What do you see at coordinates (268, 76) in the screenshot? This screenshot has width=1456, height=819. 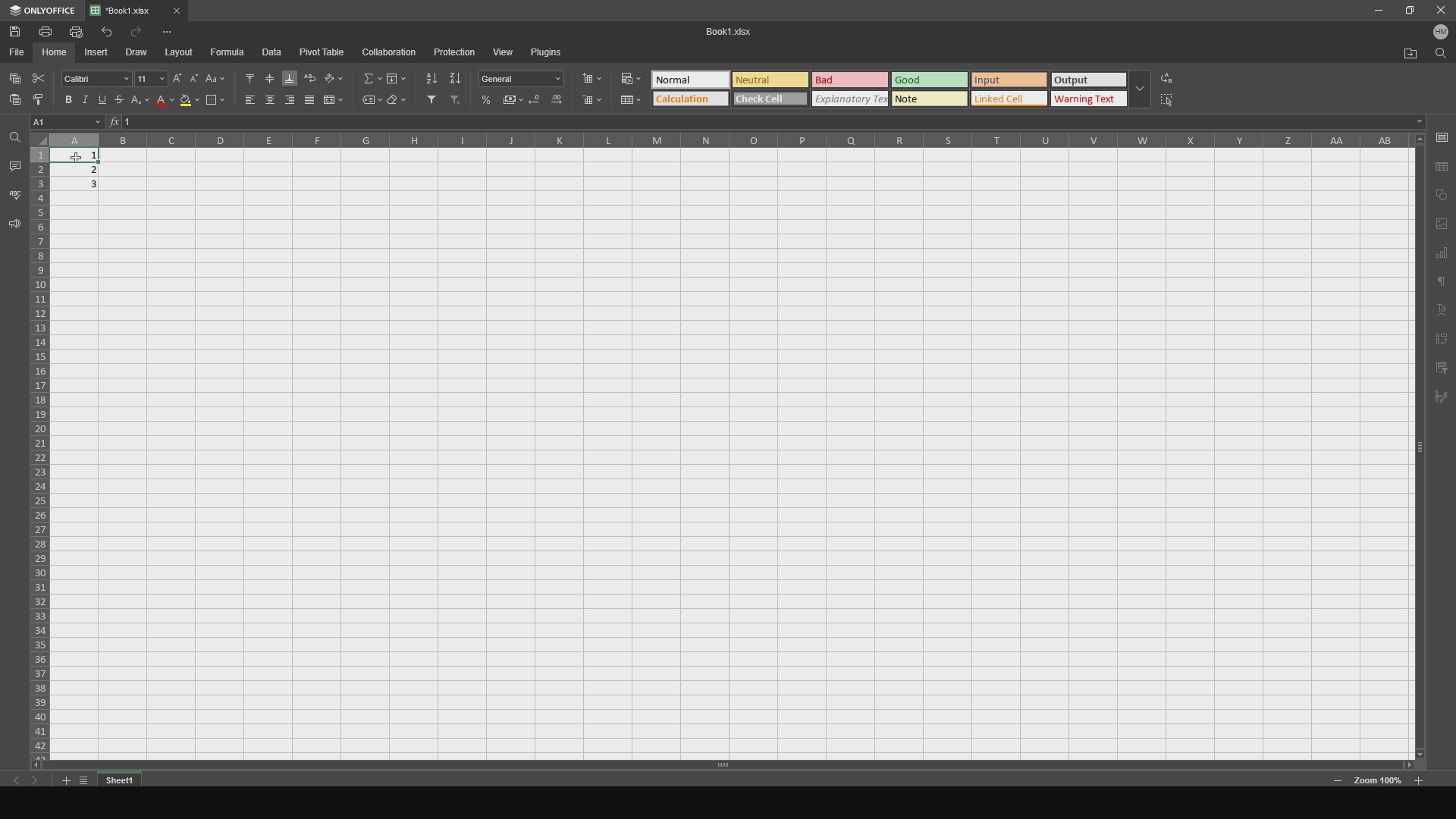 I see `align middle` at bounding box center [268, 76].